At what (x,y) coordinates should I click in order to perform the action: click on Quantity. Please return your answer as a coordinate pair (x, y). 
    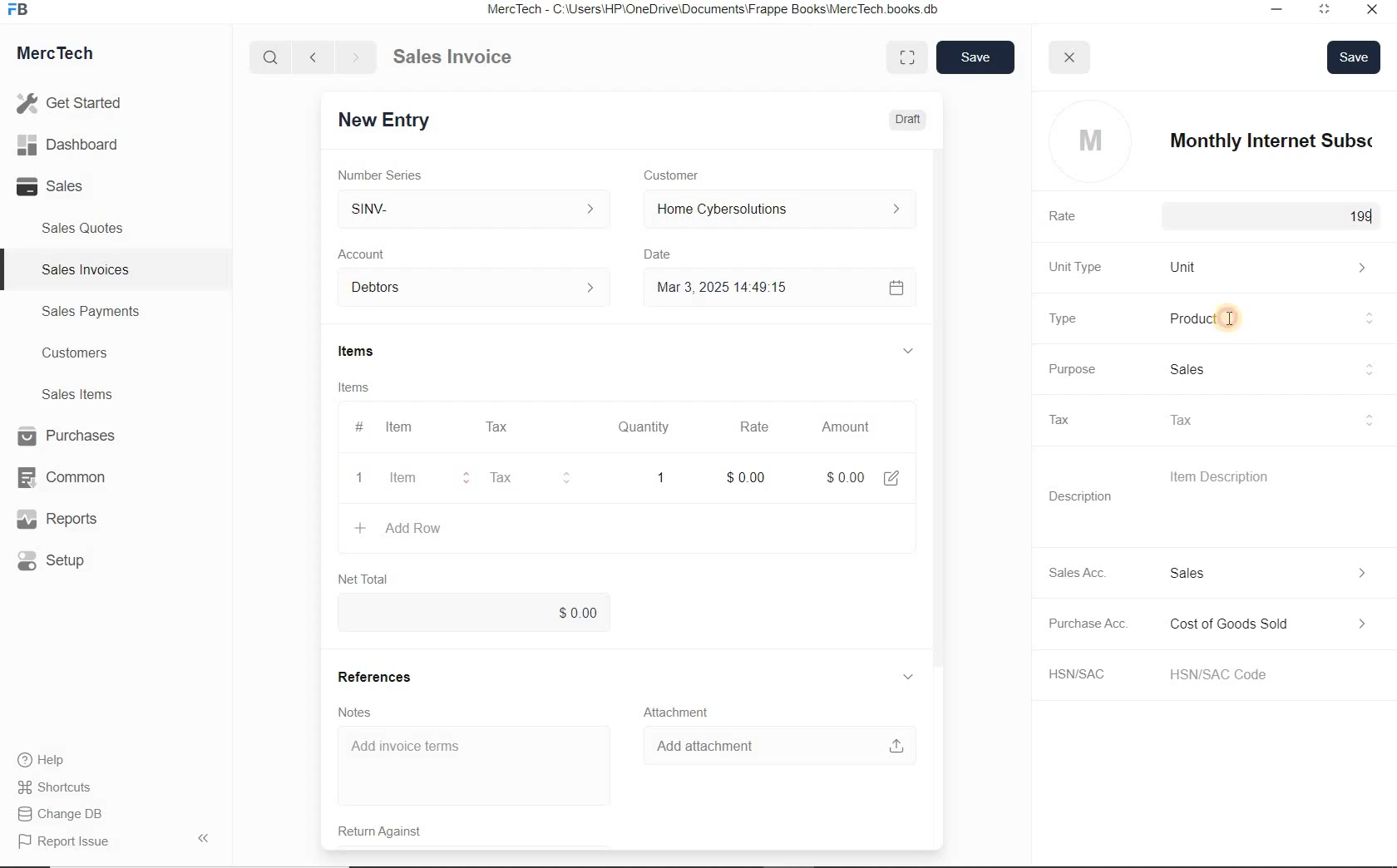
    Looking at the image, I should click on (644, 427).